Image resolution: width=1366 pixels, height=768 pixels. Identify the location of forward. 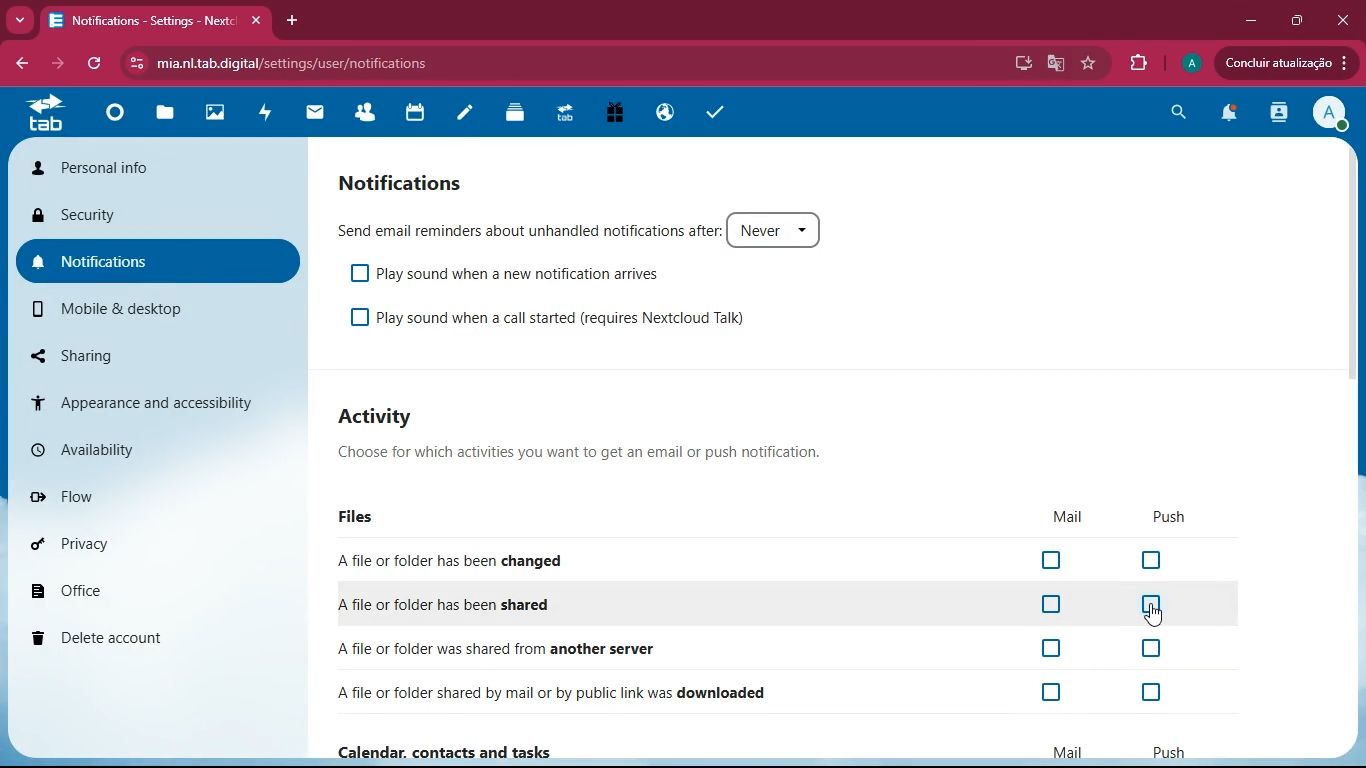
(61, 64).